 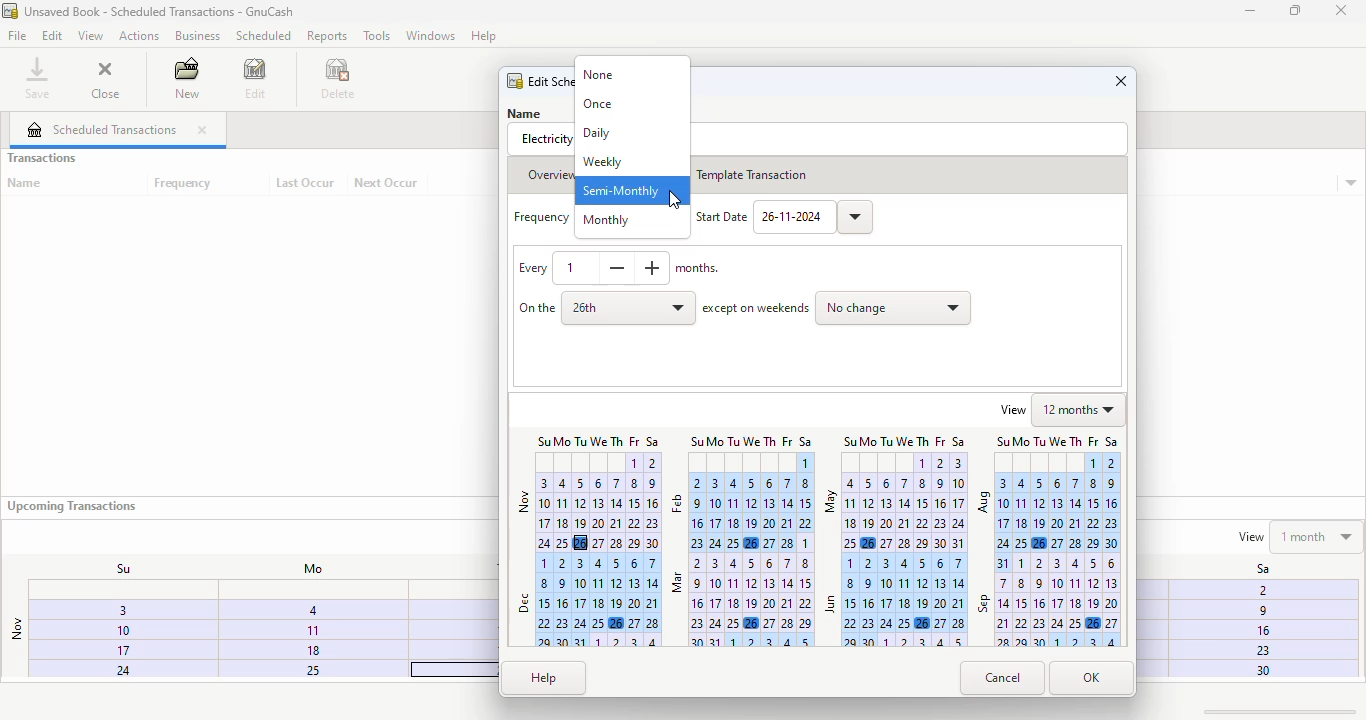 What do you see at coordinates (16, 629) in the screenshot?
I see `nov` at bounding box center [16, 629].